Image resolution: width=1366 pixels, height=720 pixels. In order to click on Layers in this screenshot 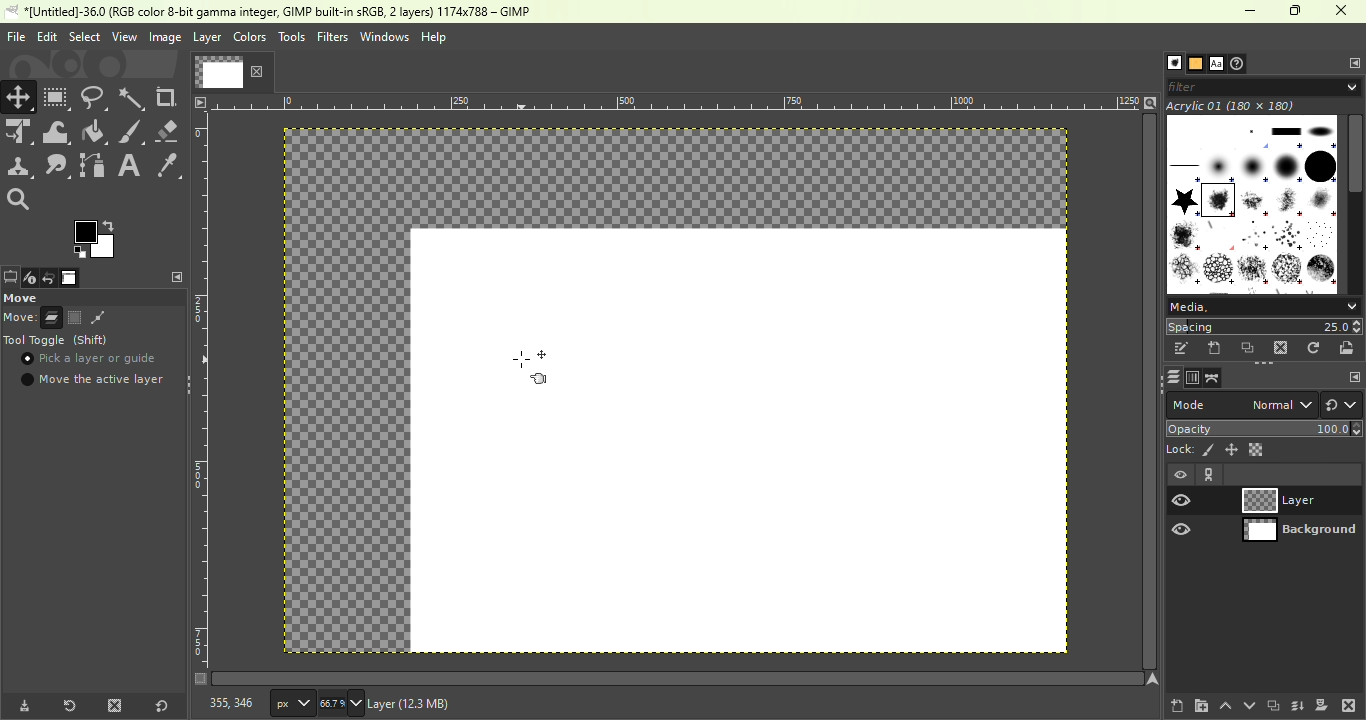, I will do `click(1169, 377)`.